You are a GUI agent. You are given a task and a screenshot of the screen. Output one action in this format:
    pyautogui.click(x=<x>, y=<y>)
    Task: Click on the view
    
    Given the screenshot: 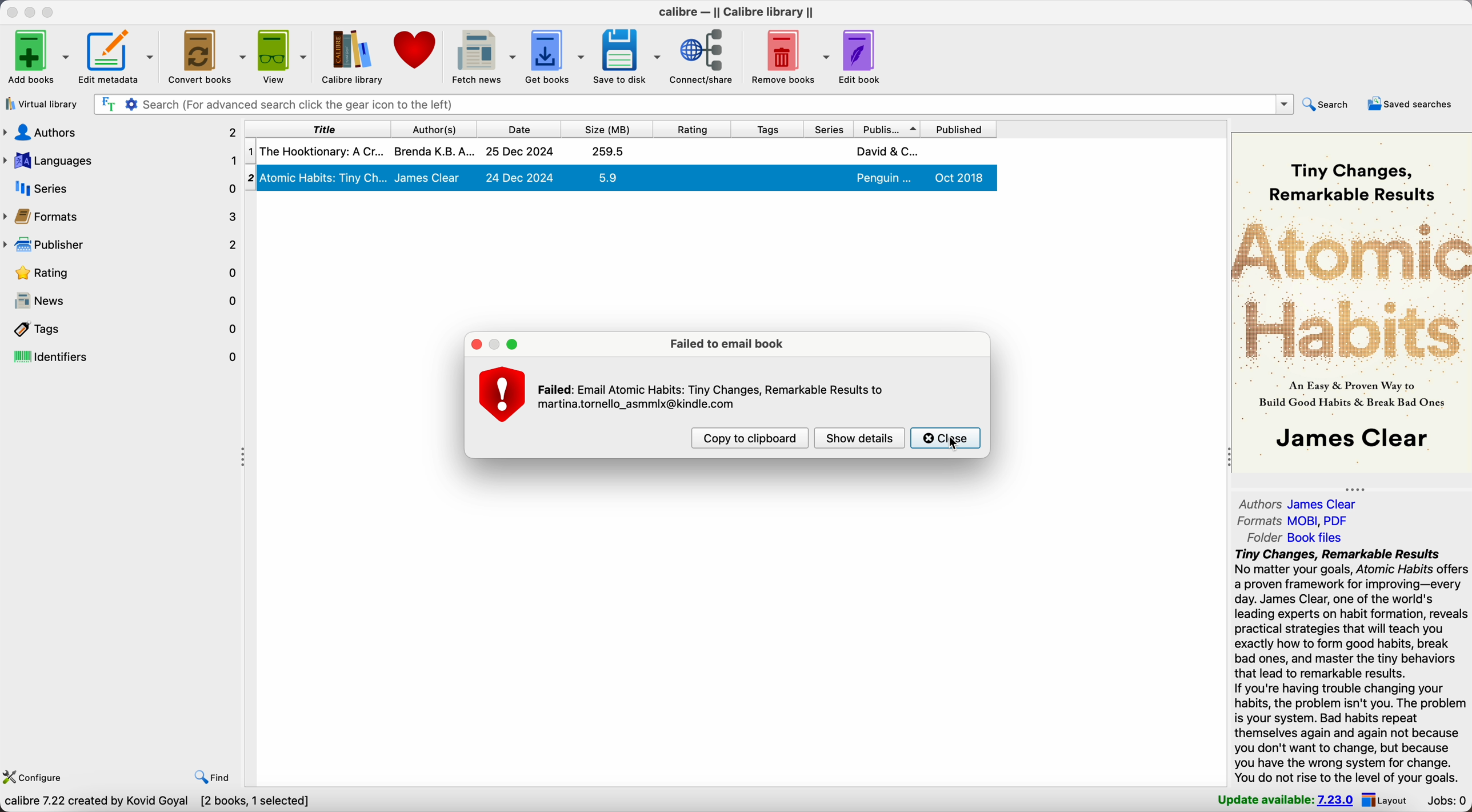 What is the action you would take?
    pyautogui.click(x=283, y=56)
    